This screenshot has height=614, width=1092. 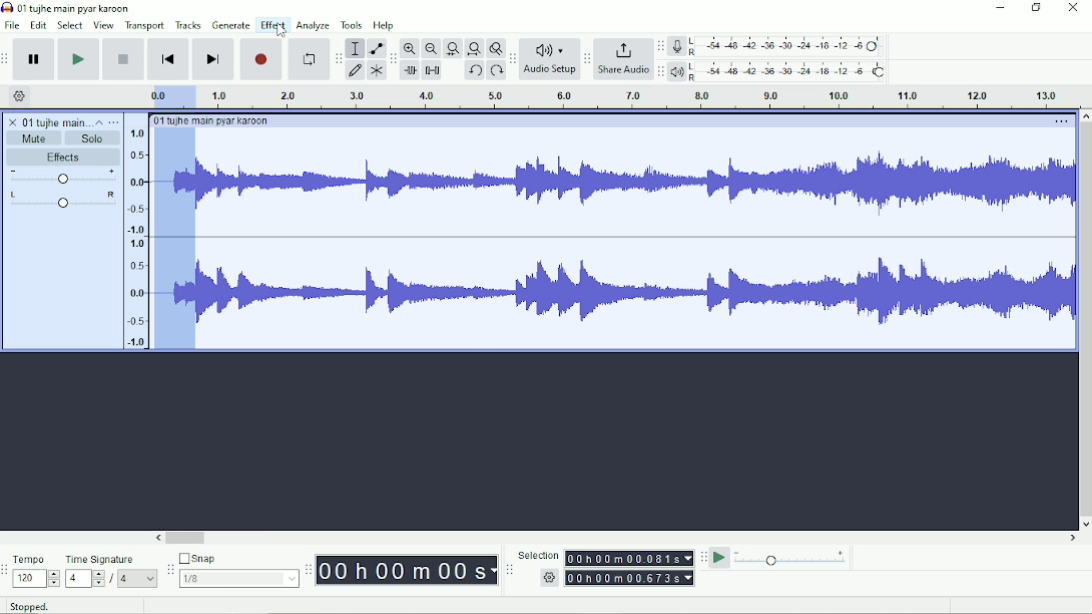 What do you see at coordinates (632, 577) in the screenshot?
I see `00 h 00 m 00.673s` at bounding box center [632, 577].